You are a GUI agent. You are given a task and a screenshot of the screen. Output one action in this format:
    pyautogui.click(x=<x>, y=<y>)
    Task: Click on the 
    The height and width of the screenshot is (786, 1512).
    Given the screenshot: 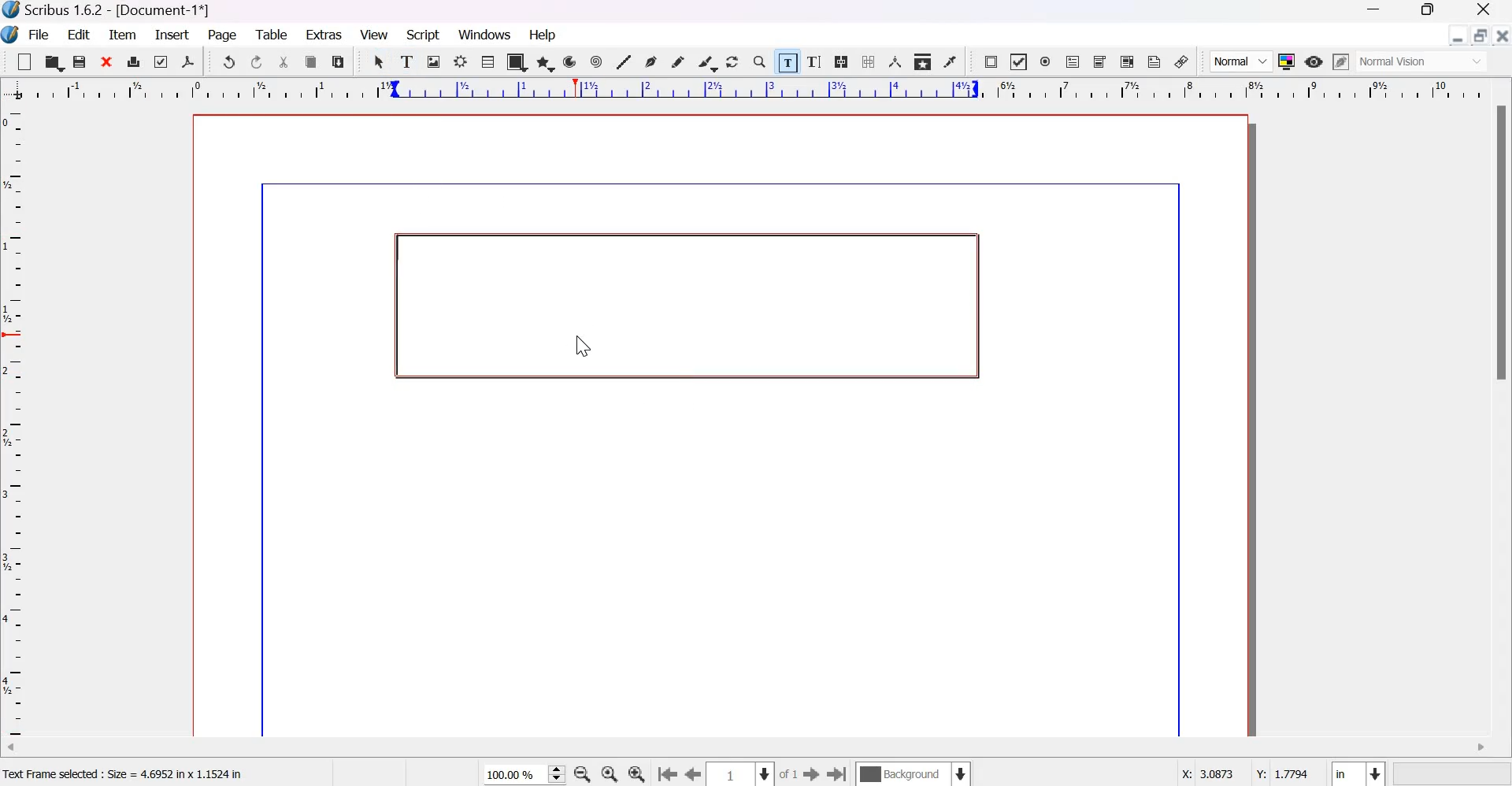 What is the action you would take?
    pyautogui.click(x=733, y=61)
    